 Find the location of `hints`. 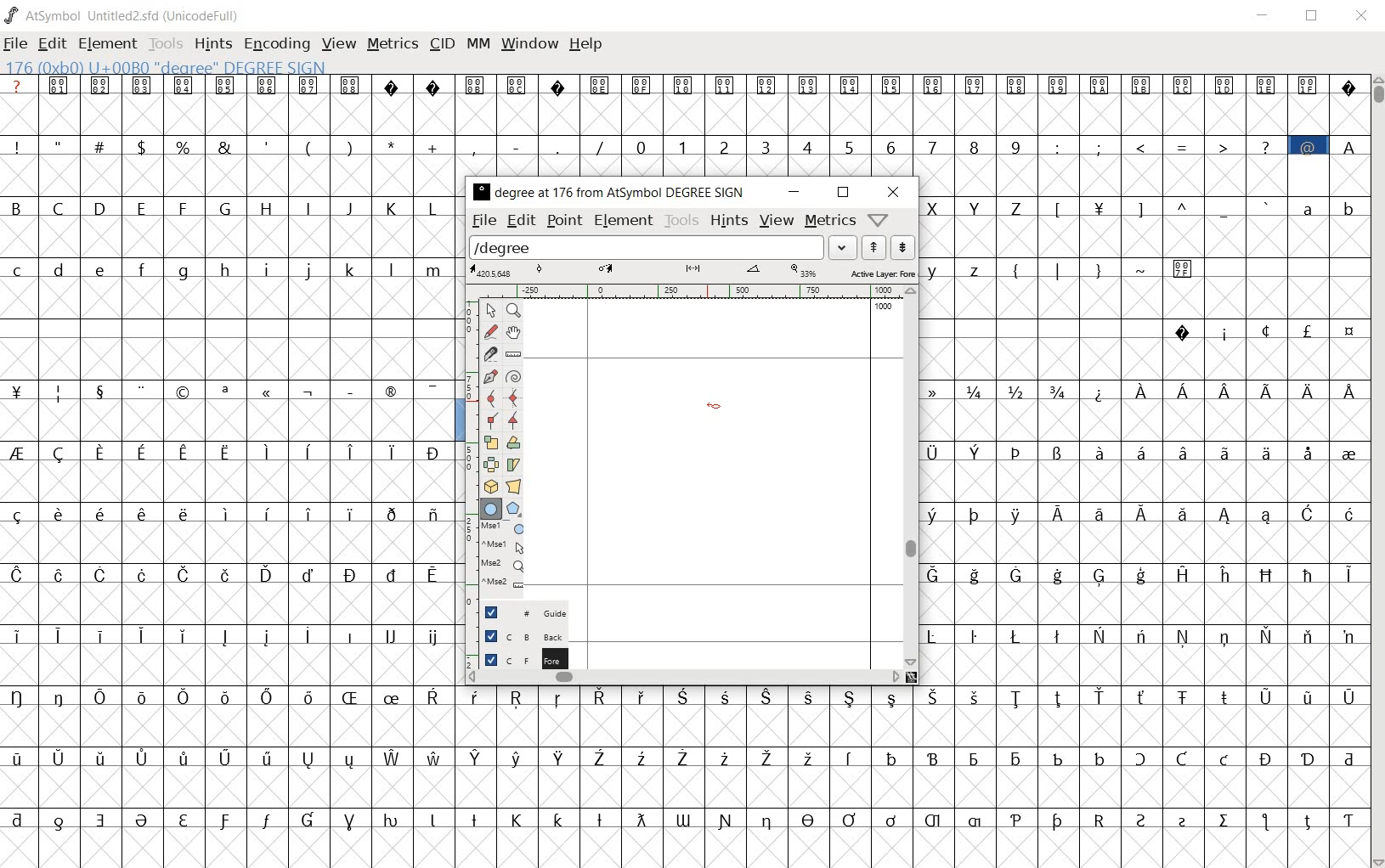

hints is located at coordinates (729, 221).